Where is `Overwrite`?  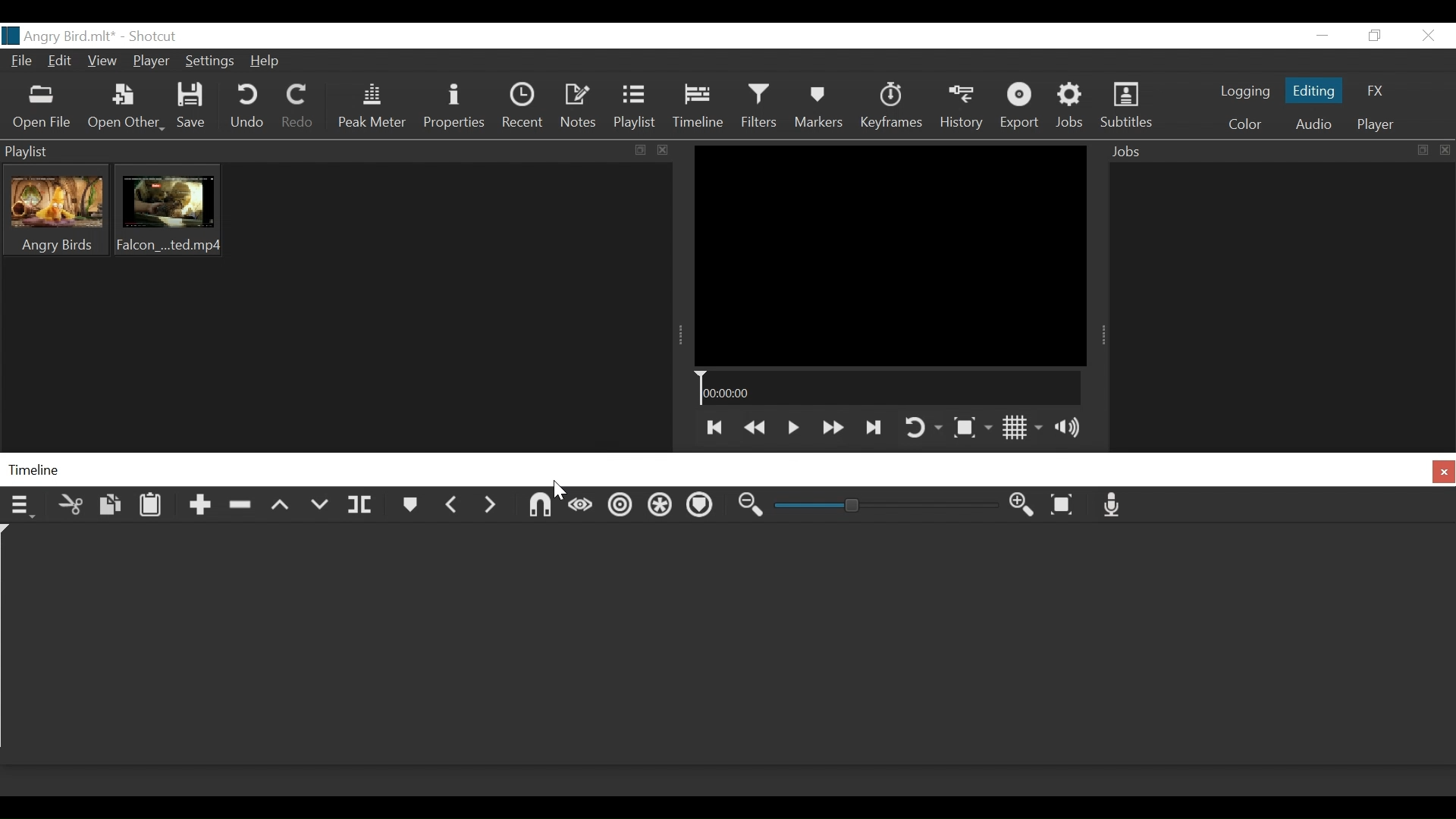 Overwrite is located at coordinates (320, 507).